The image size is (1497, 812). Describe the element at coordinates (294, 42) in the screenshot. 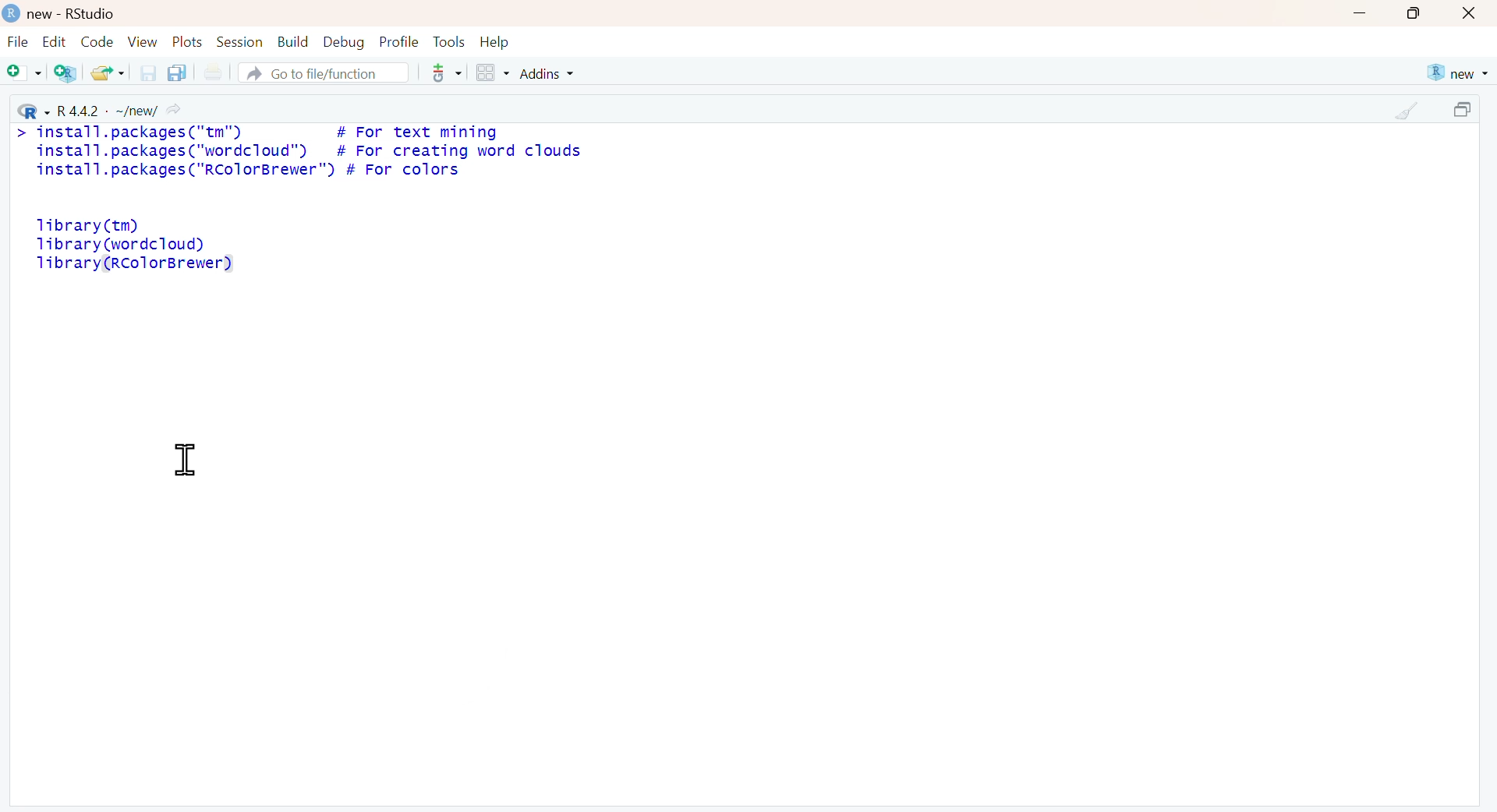

I see `Build` at that location.